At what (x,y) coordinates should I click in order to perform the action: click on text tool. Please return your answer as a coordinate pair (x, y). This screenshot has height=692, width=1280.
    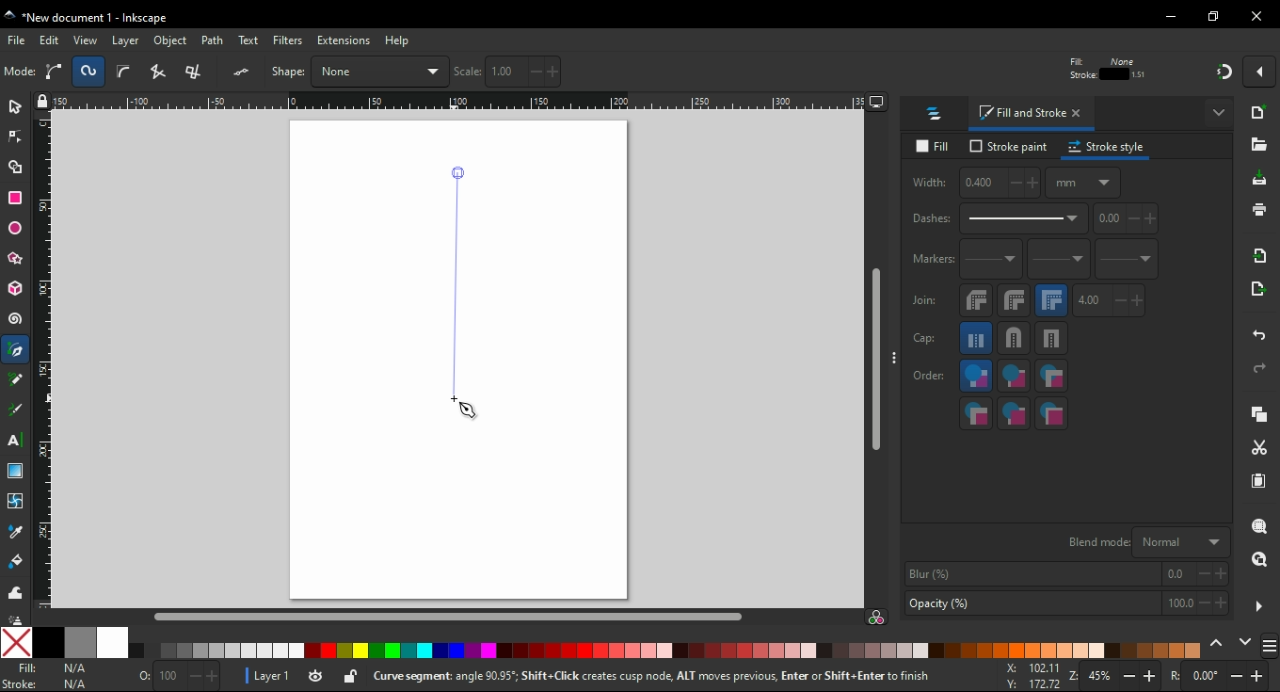
    Looking at the image, I should click on (15, 440).